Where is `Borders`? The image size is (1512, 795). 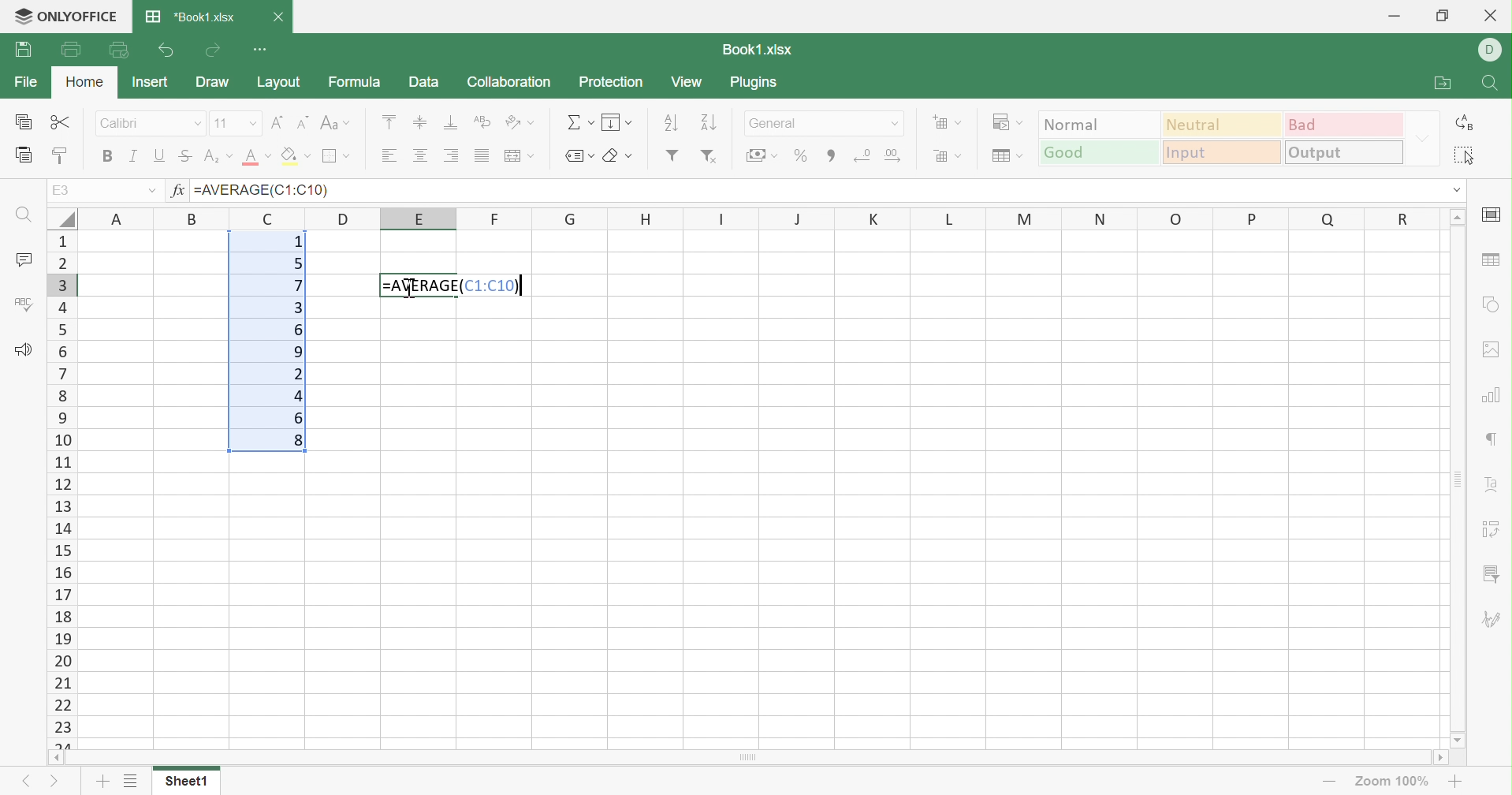
Borders is located at coordinates (335, 155).